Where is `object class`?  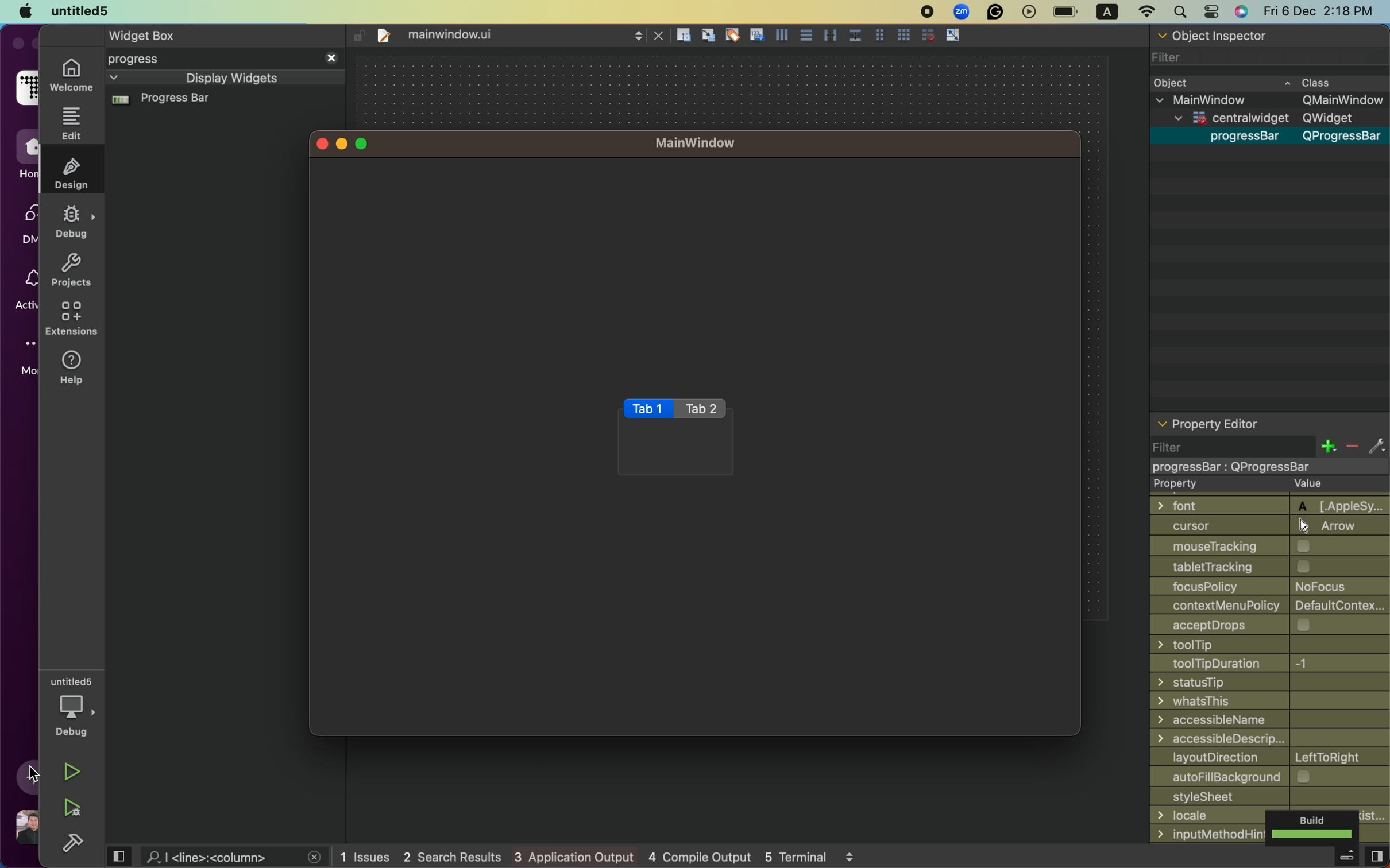 object class is located at coordinates (1261, 83).